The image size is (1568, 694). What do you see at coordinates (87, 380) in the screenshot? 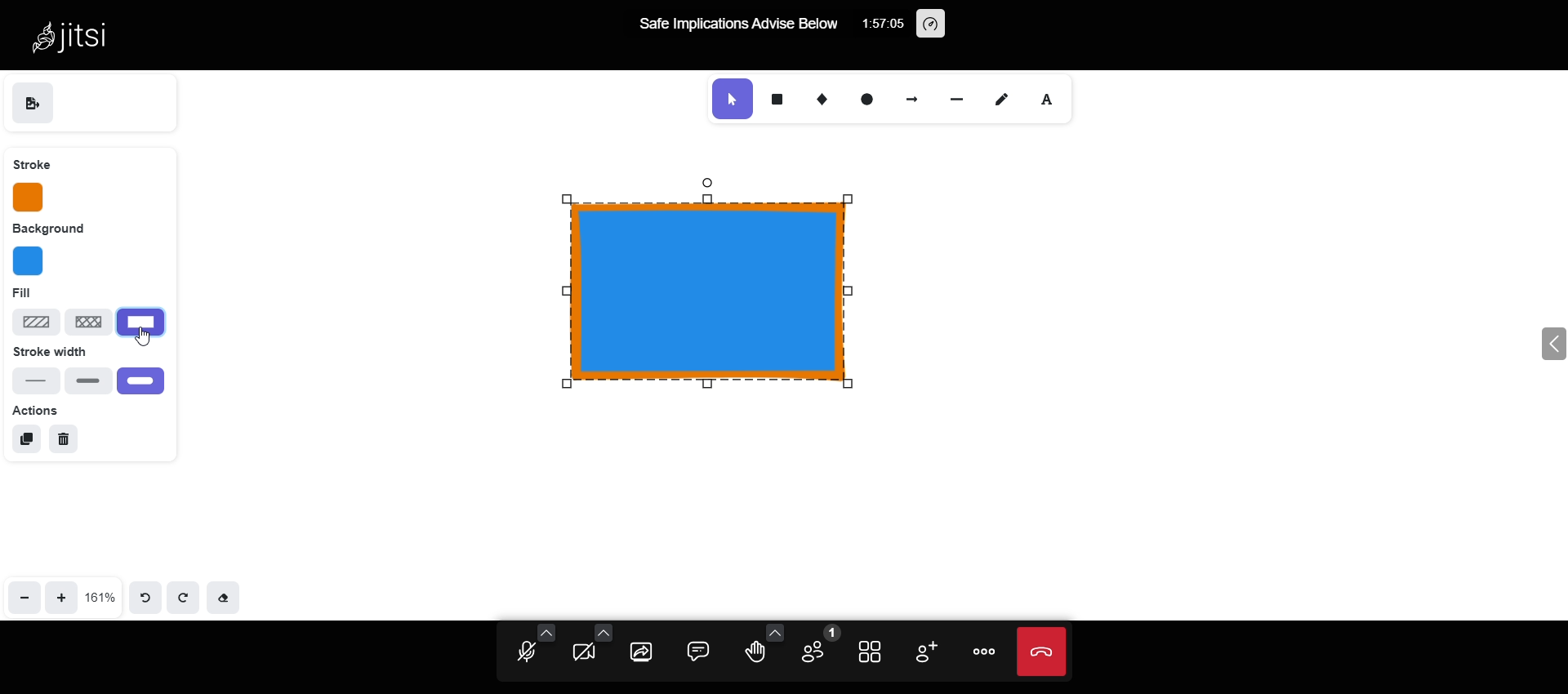
I see `bold` at bounding box center [87, 380].